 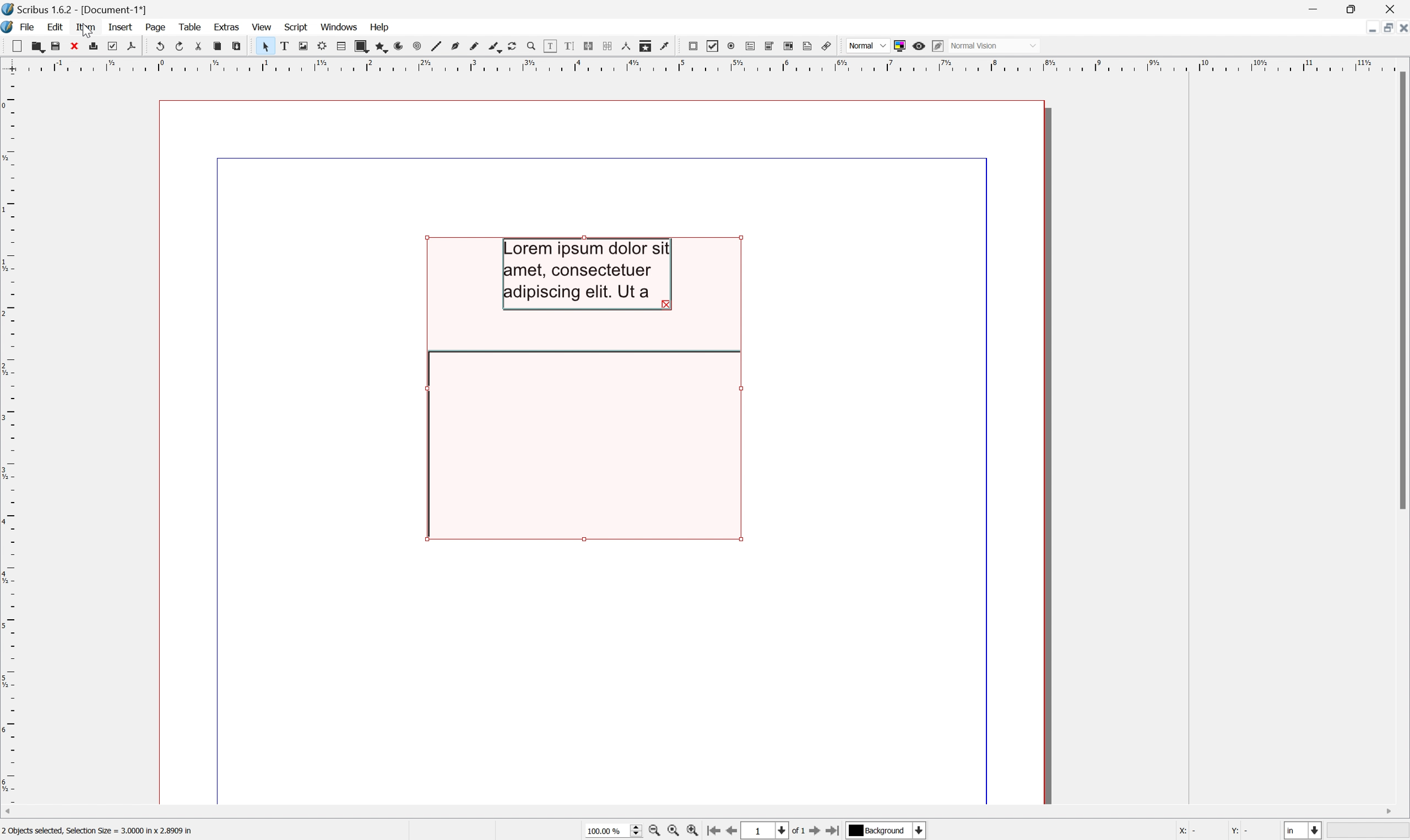 What do you see at coordinates (87, 33) in the screenshot?
I see `Cursor` at bounding box center [87, 33].